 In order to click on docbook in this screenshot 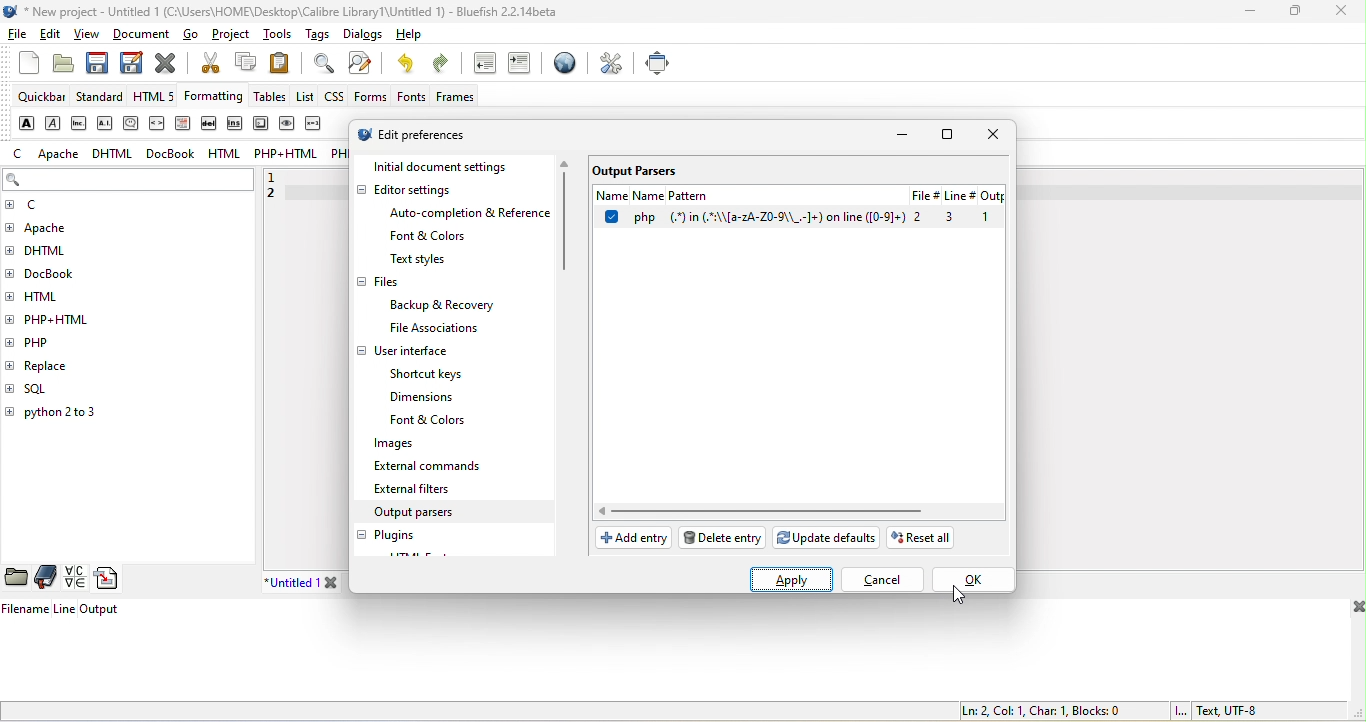, I will do `click(174, 154)`.